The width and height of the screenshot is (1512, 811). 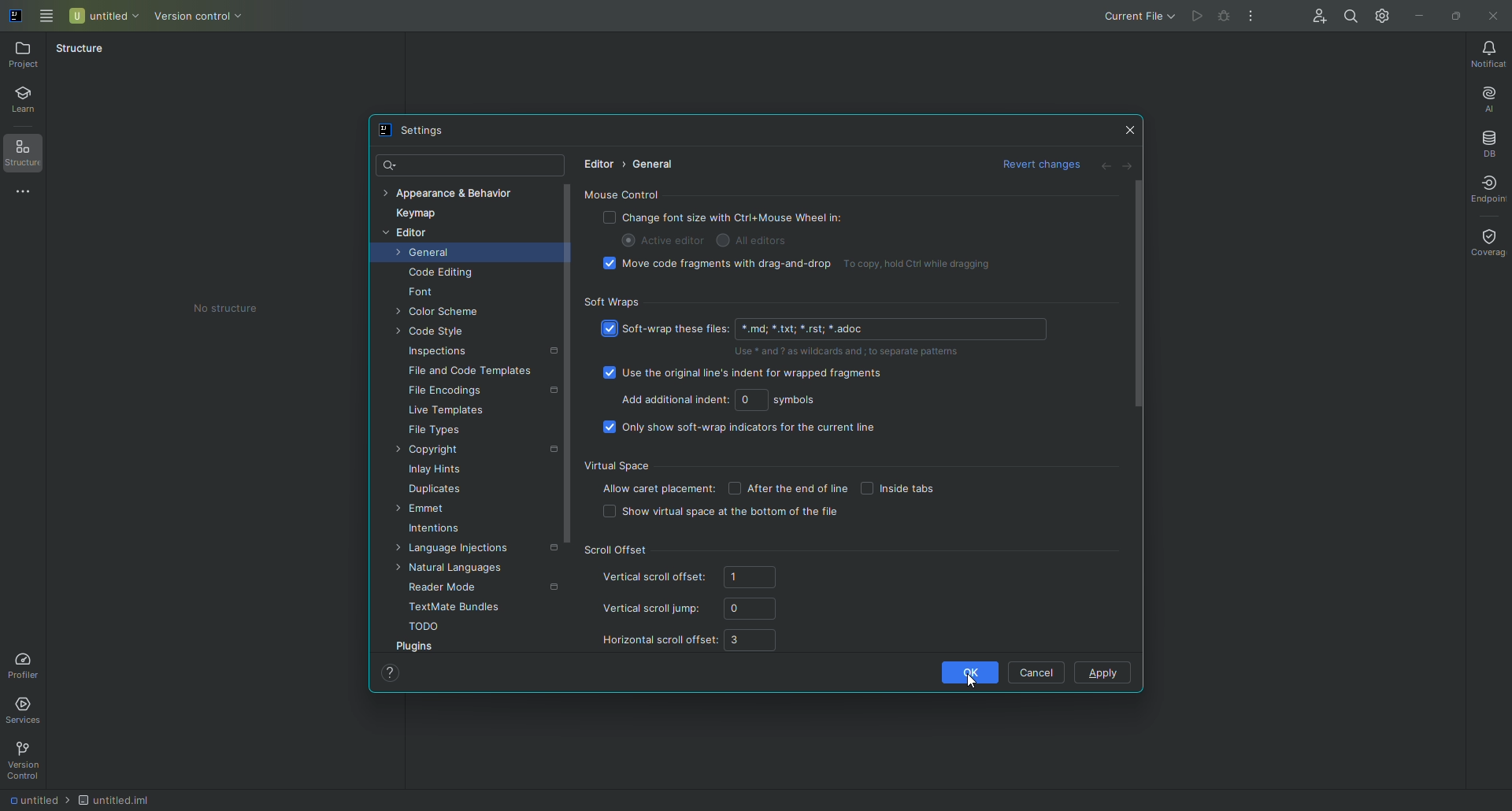 What do you see at coordinates (28, 59) in the screenshot?
I see `Project` at bounding box center [28, 59].